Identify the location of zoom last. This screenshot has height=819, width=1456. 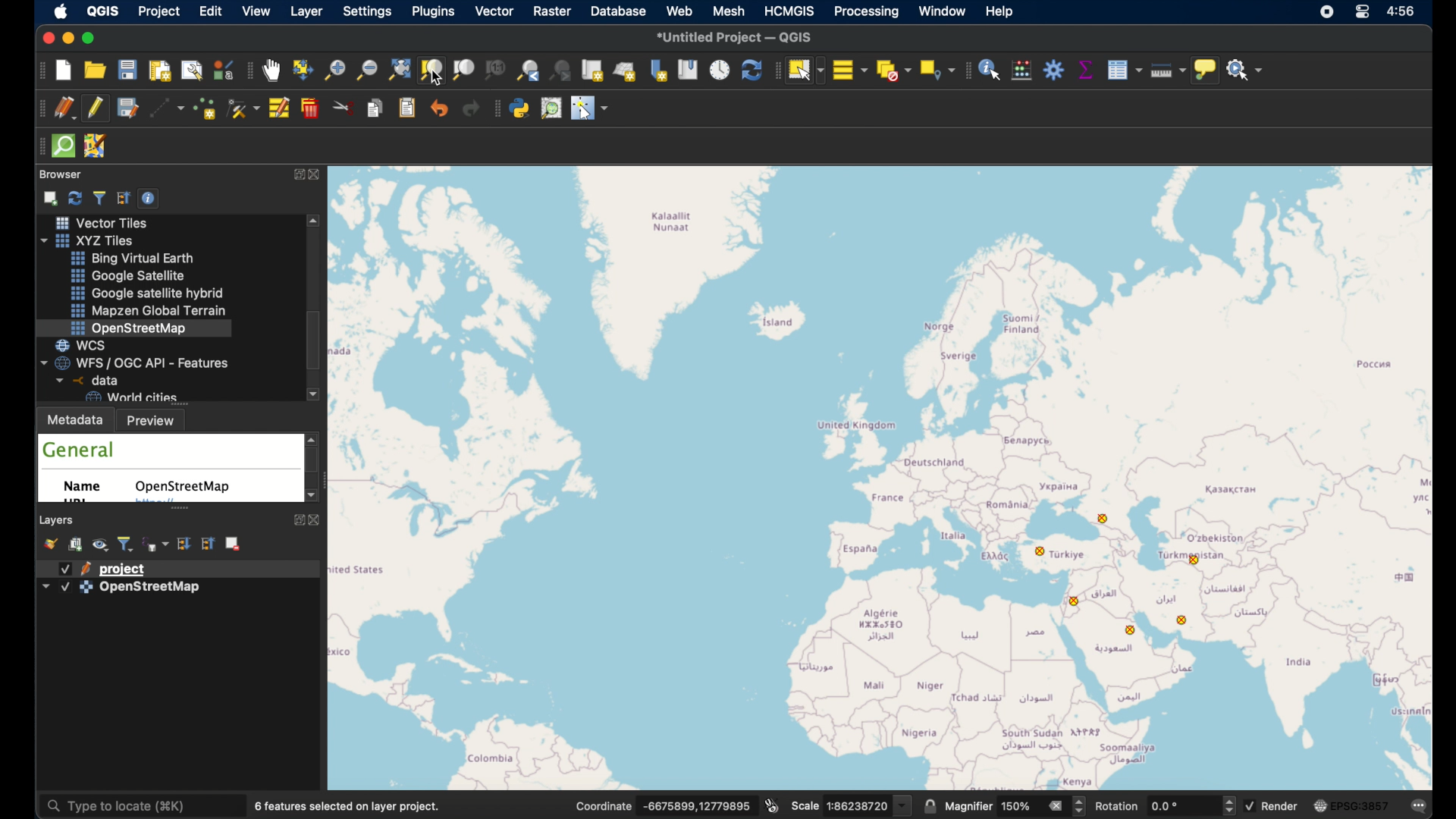
(525, 70).